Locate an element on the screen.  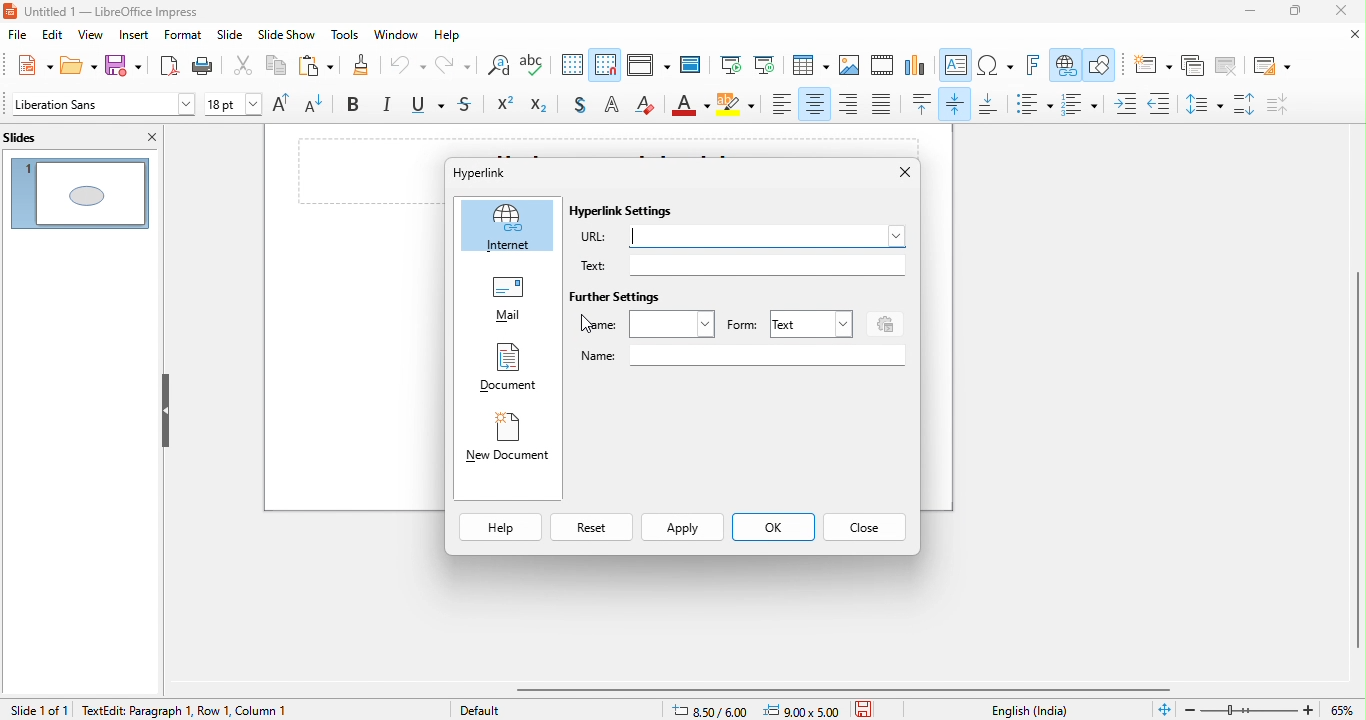
undo is located at coordinates (408, 69).